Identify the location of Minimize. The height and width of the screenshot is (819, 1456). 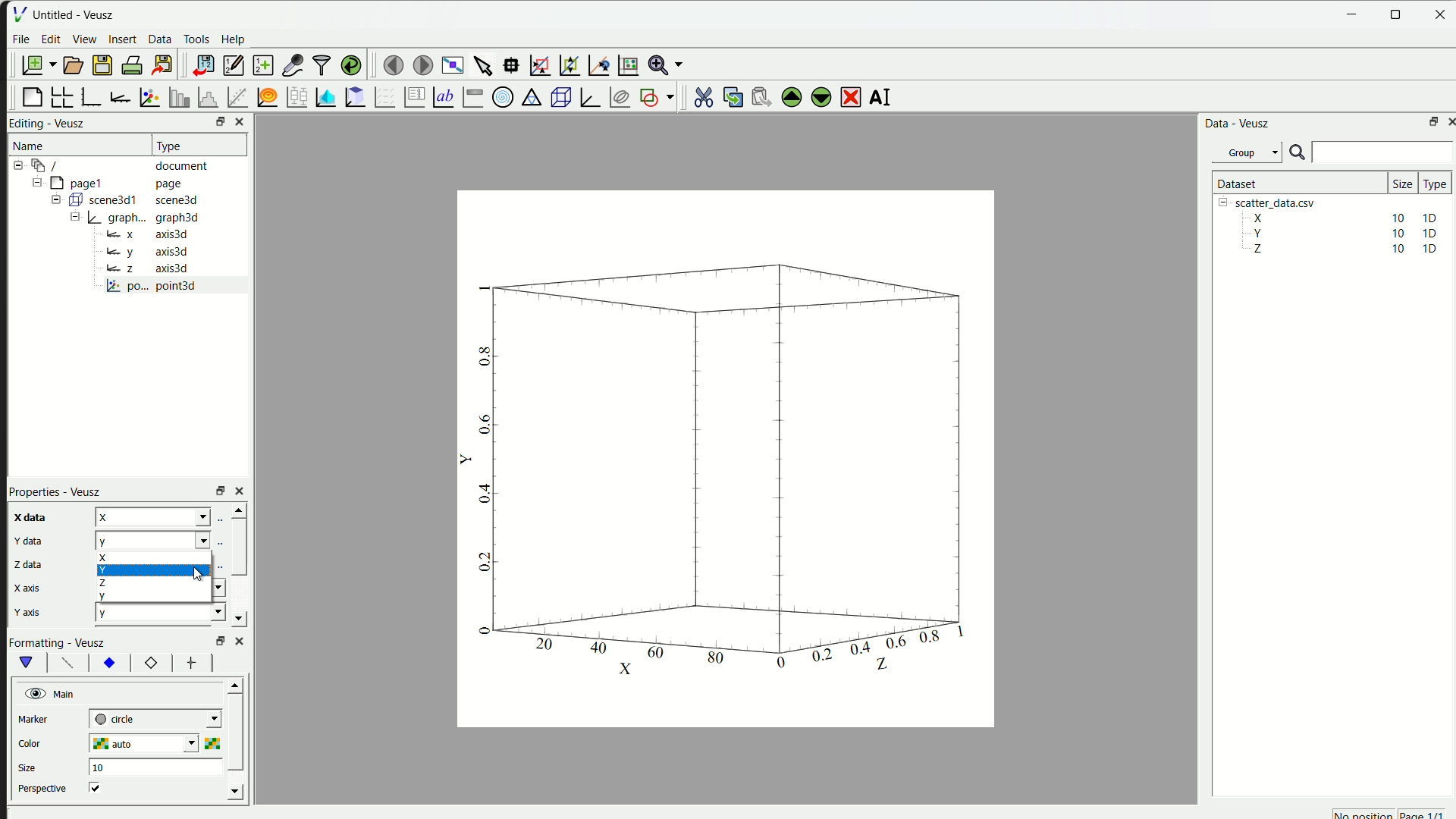
(1353, 14).